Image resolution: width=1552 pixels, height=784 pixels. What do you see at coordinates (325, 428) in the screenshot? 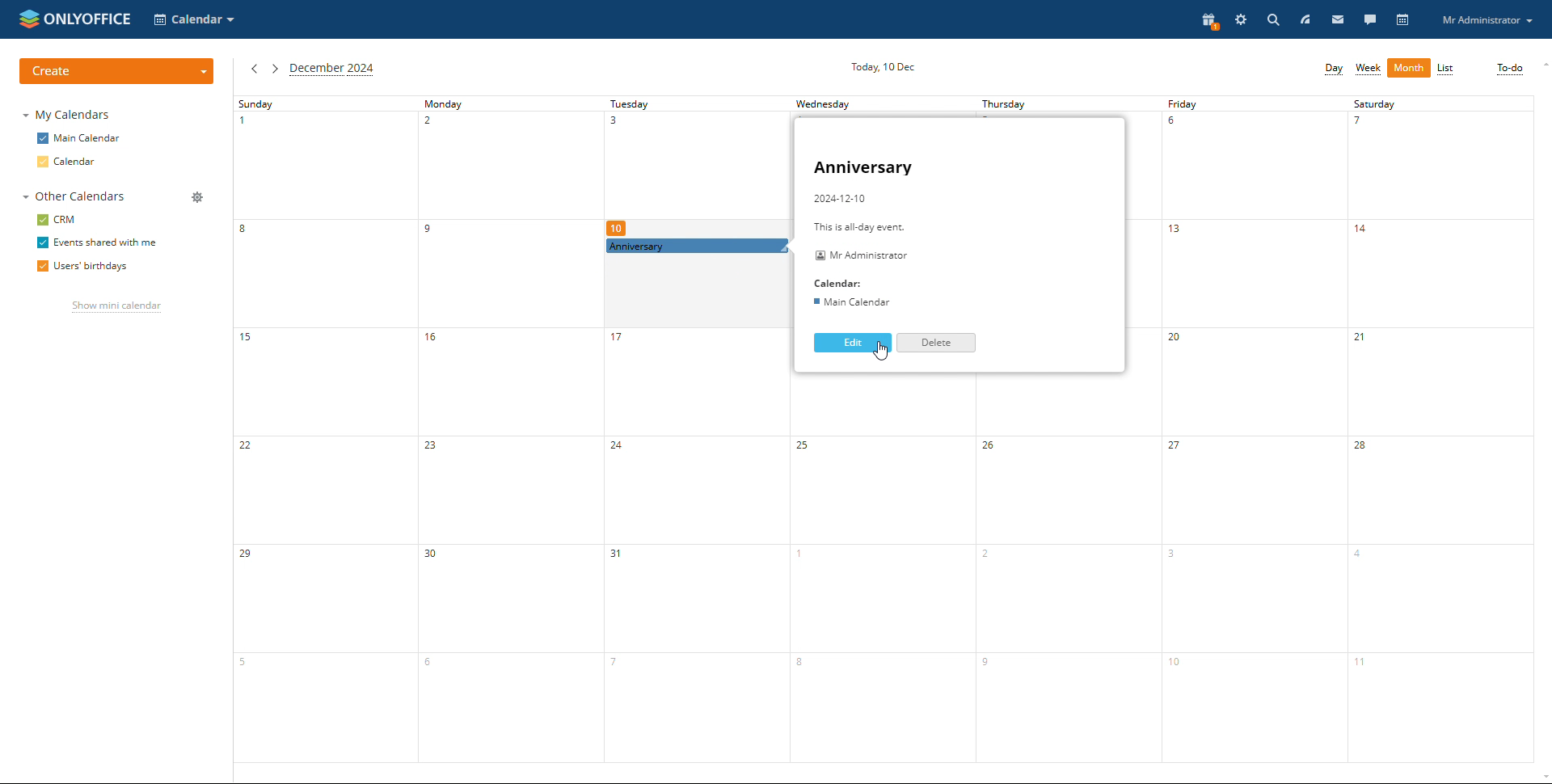
I see `sunday` at bounding box center [325, 428].